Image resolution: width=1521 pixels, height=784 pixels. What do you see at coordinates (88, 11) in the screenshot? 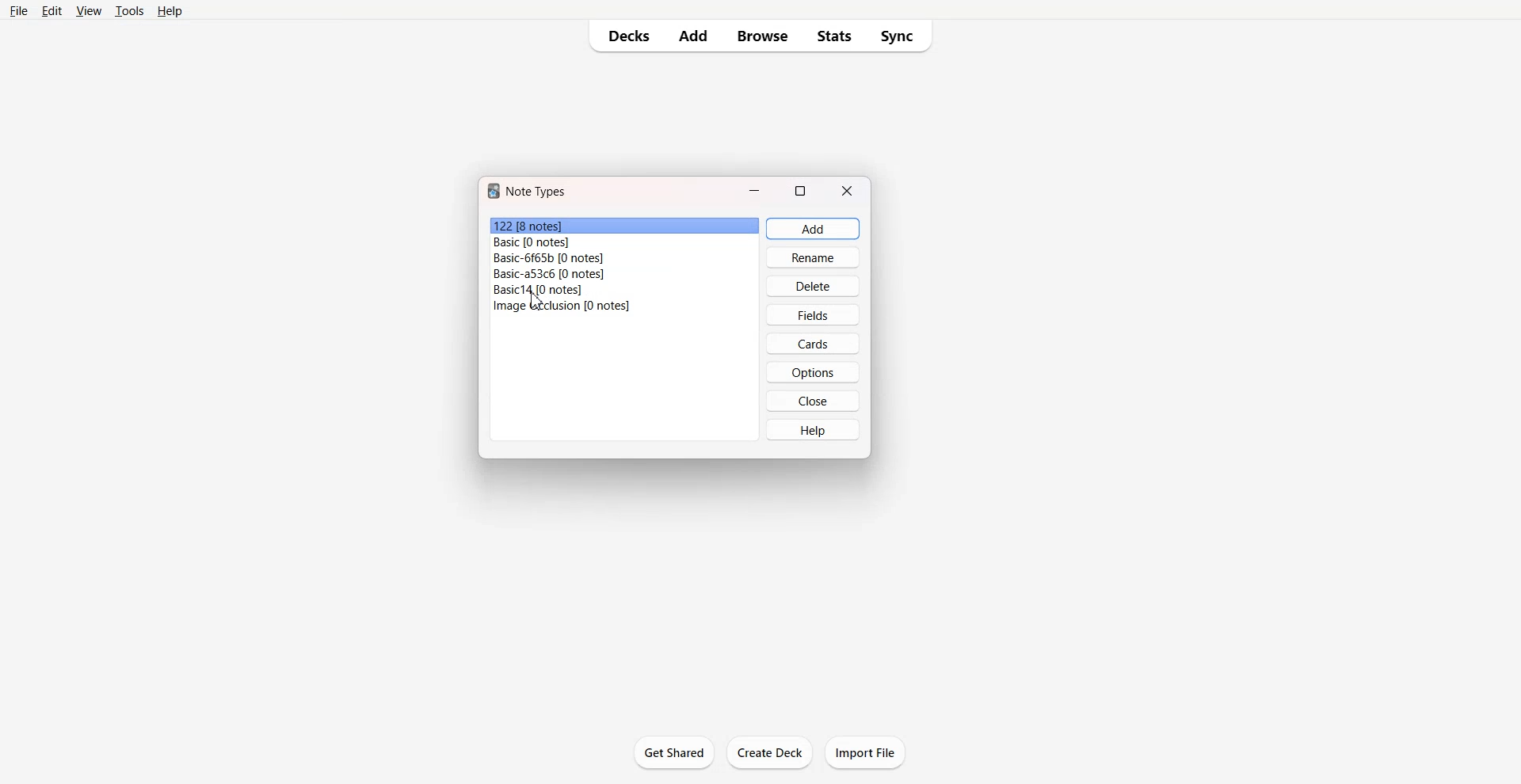
I see `View` at bounding box center [88, 11].